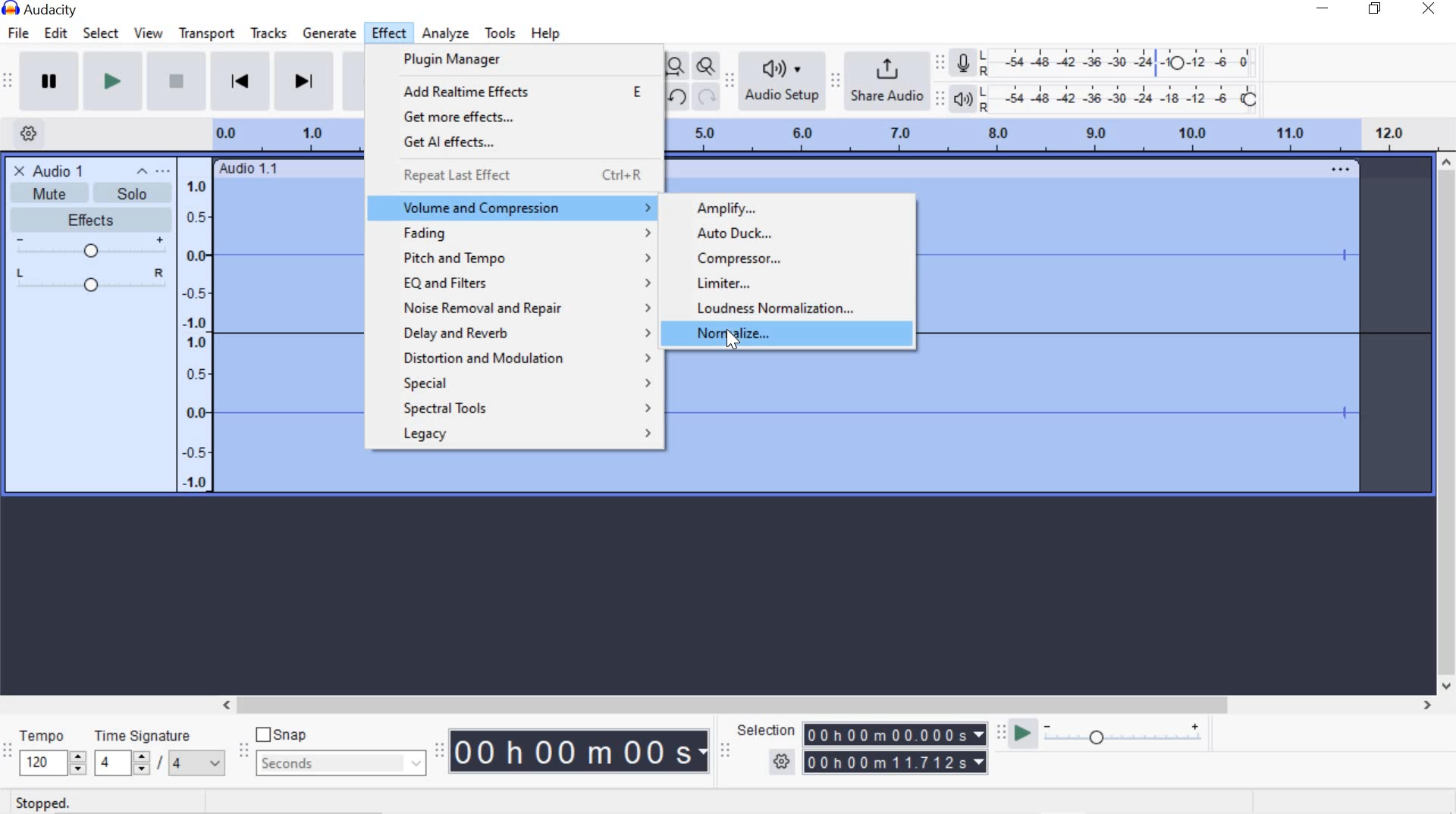  Describe the element at coordinates (165, 171) in the screenshot. I see `Open menu` at that location.